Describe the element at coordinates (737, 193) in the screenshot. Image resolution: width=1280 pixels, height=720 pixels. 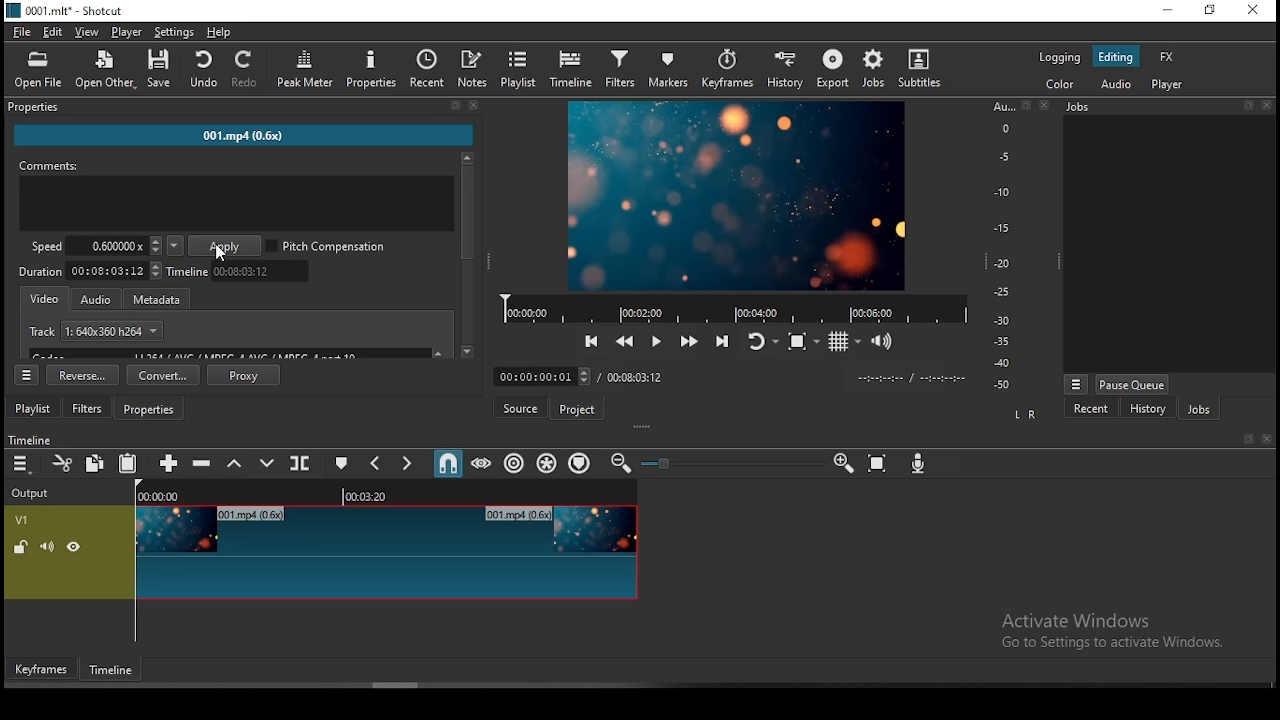
I see `preview` at that location.